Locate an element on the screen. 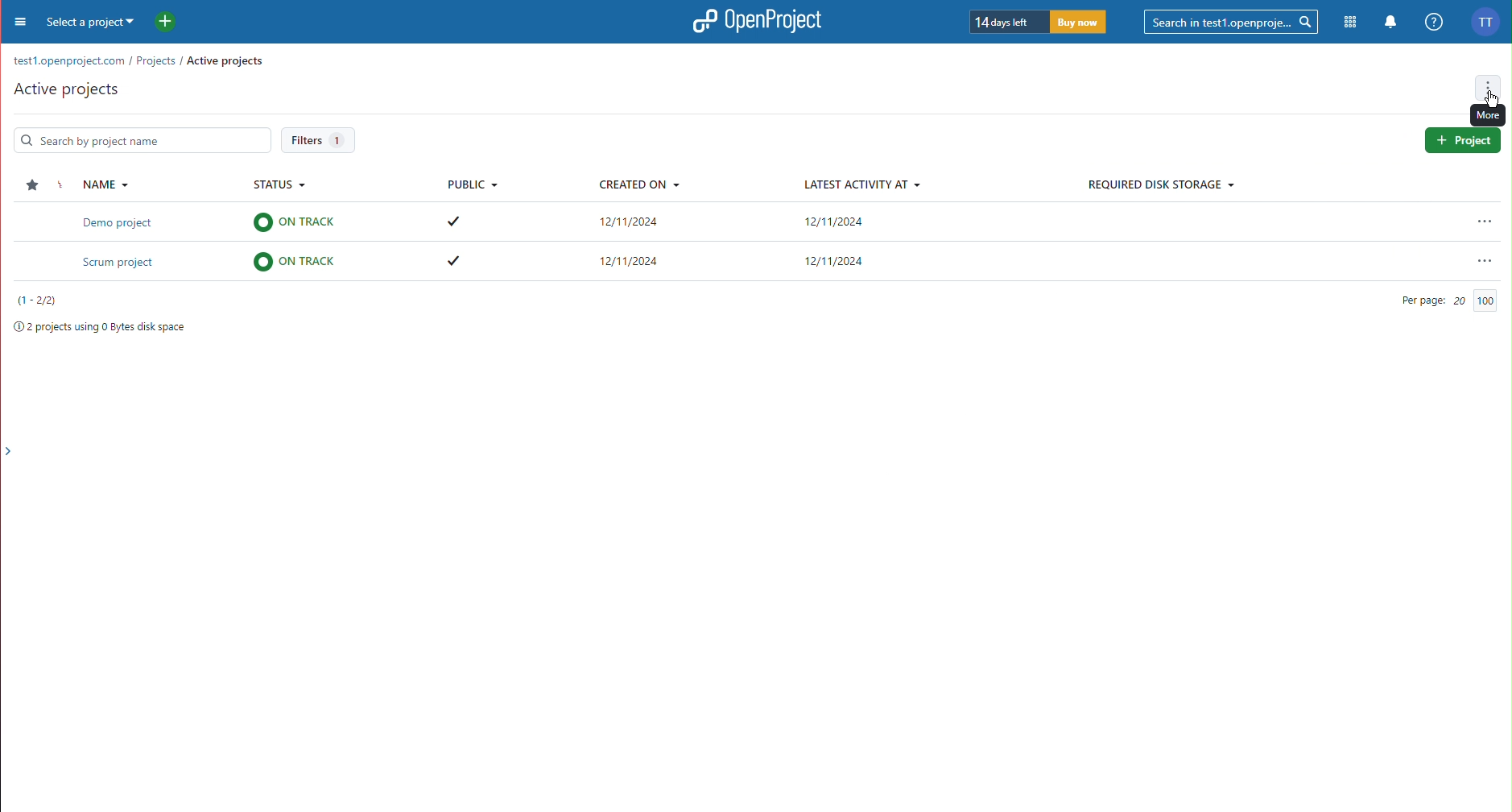  Account is located at coordinates (1489, 23).